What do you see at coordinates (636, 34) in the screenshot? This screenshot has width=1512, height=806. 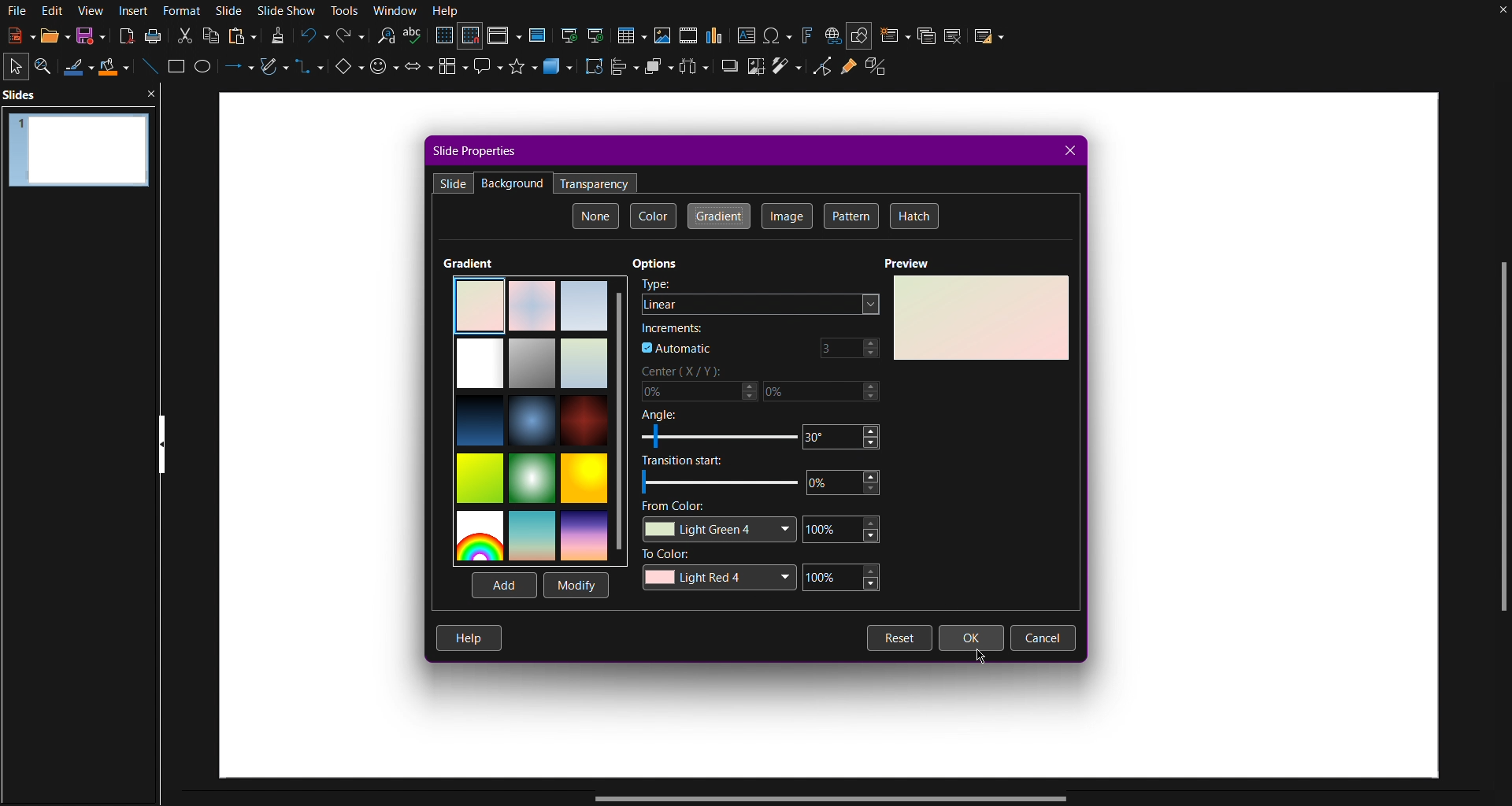 I see `Insert Table` at bounding box center [636, 34].